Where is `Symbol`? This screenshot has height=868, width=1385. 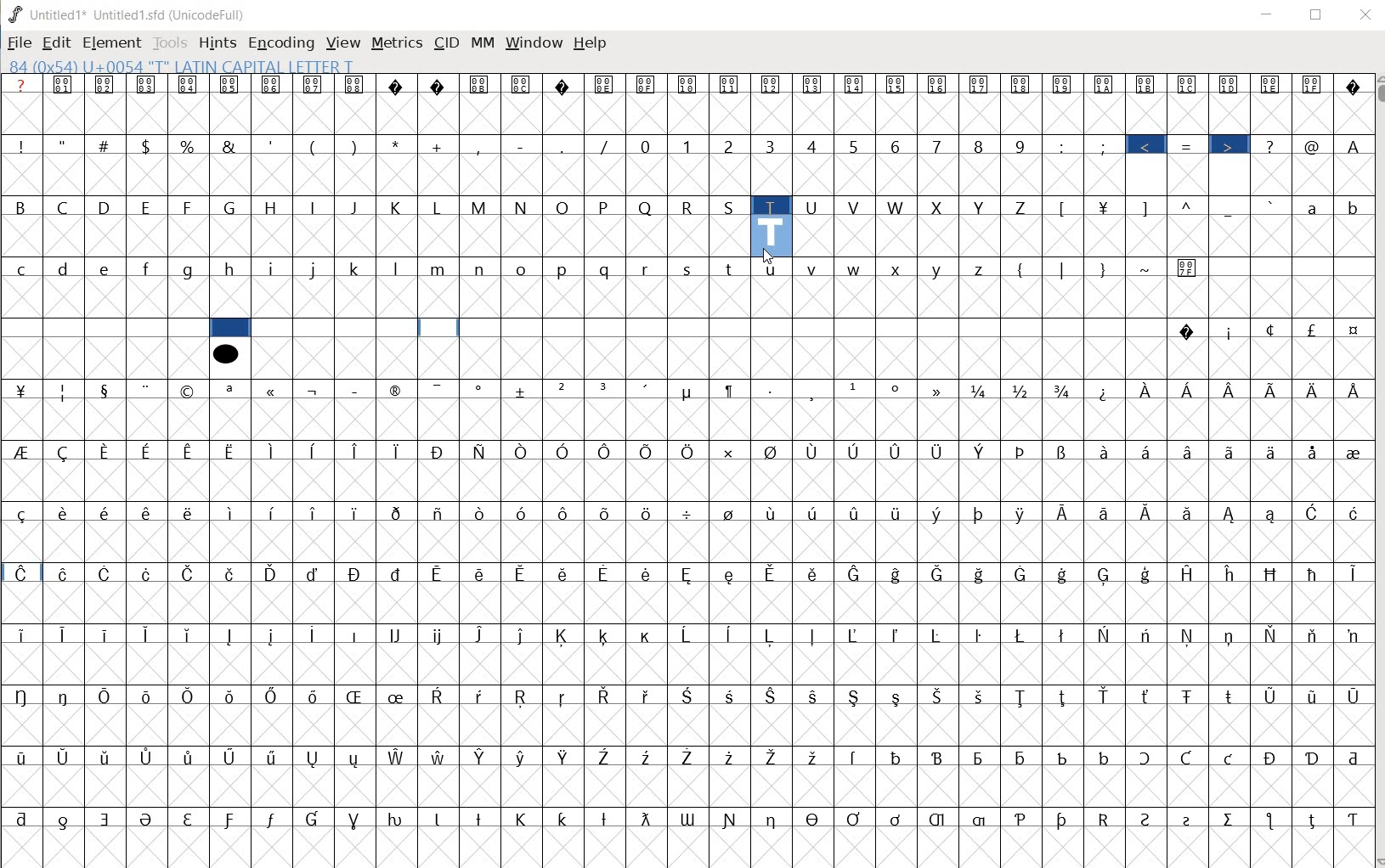 Symbol is located at coordinates (20, 572).